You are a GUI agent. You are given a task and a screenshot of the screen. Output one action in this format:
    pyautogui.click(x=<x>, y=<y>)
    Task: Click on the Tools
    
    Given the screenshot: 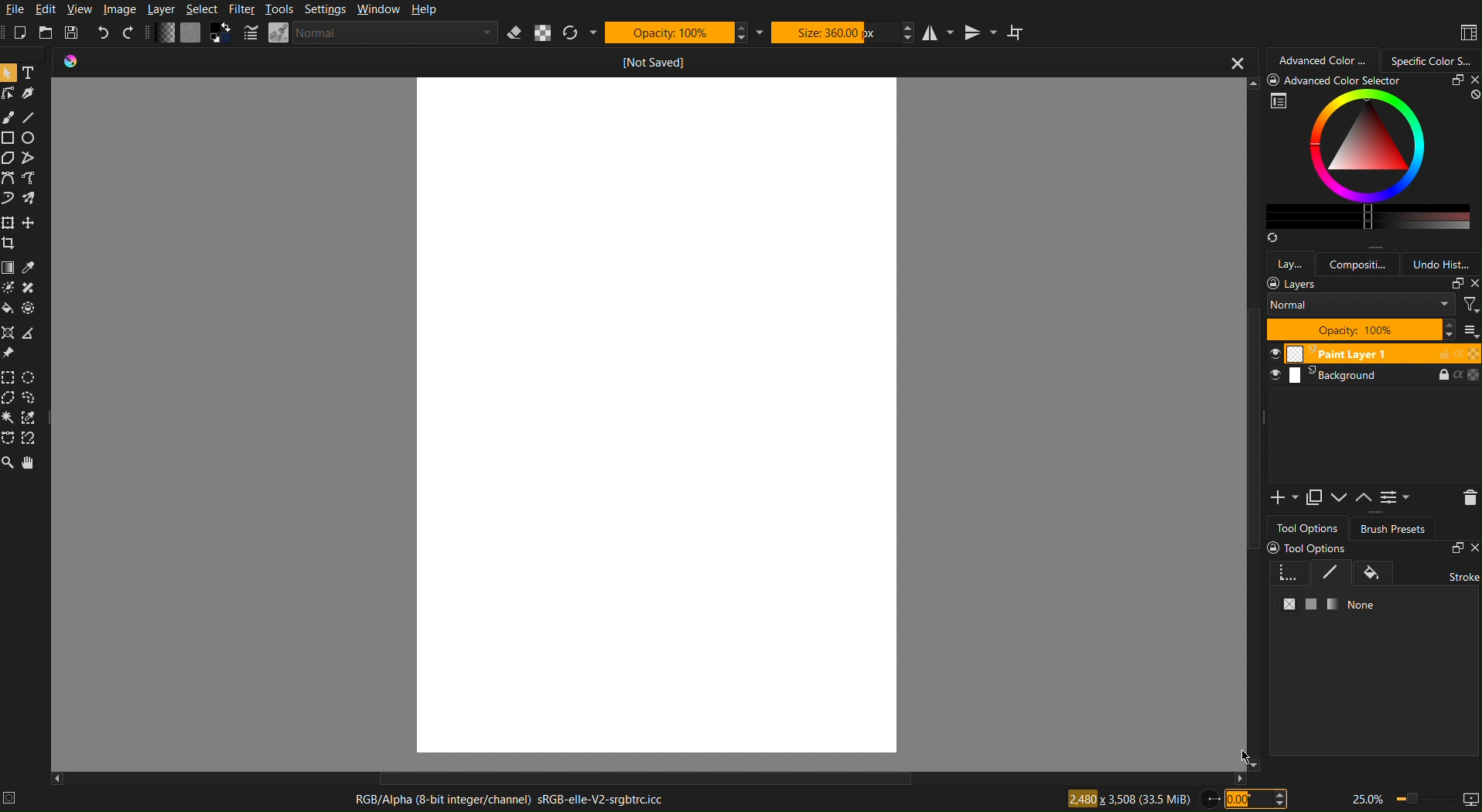 What is the action you would take?
    pyautogui.click(x=279, y=10)
    